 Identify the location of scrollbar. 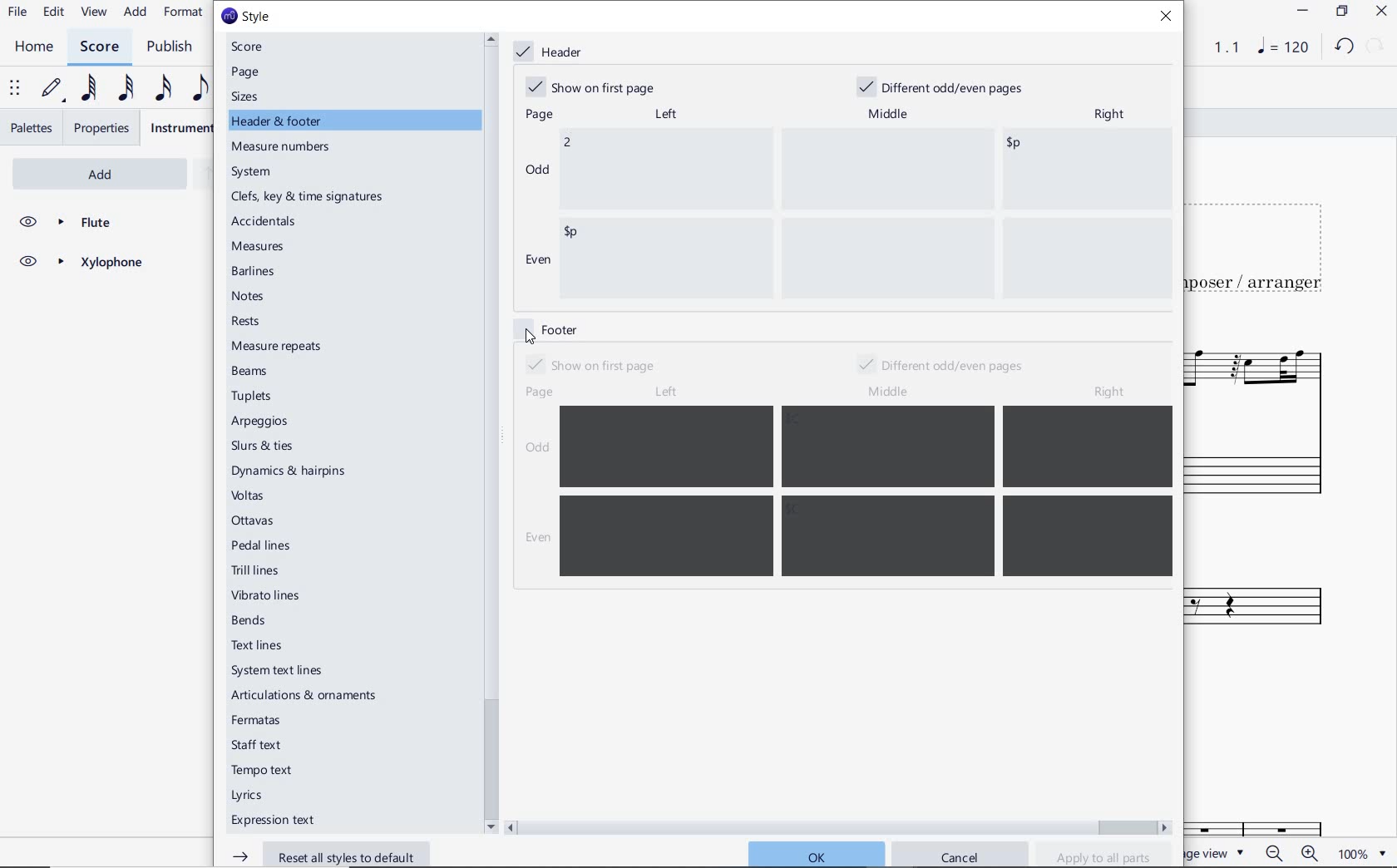
(489, 432).